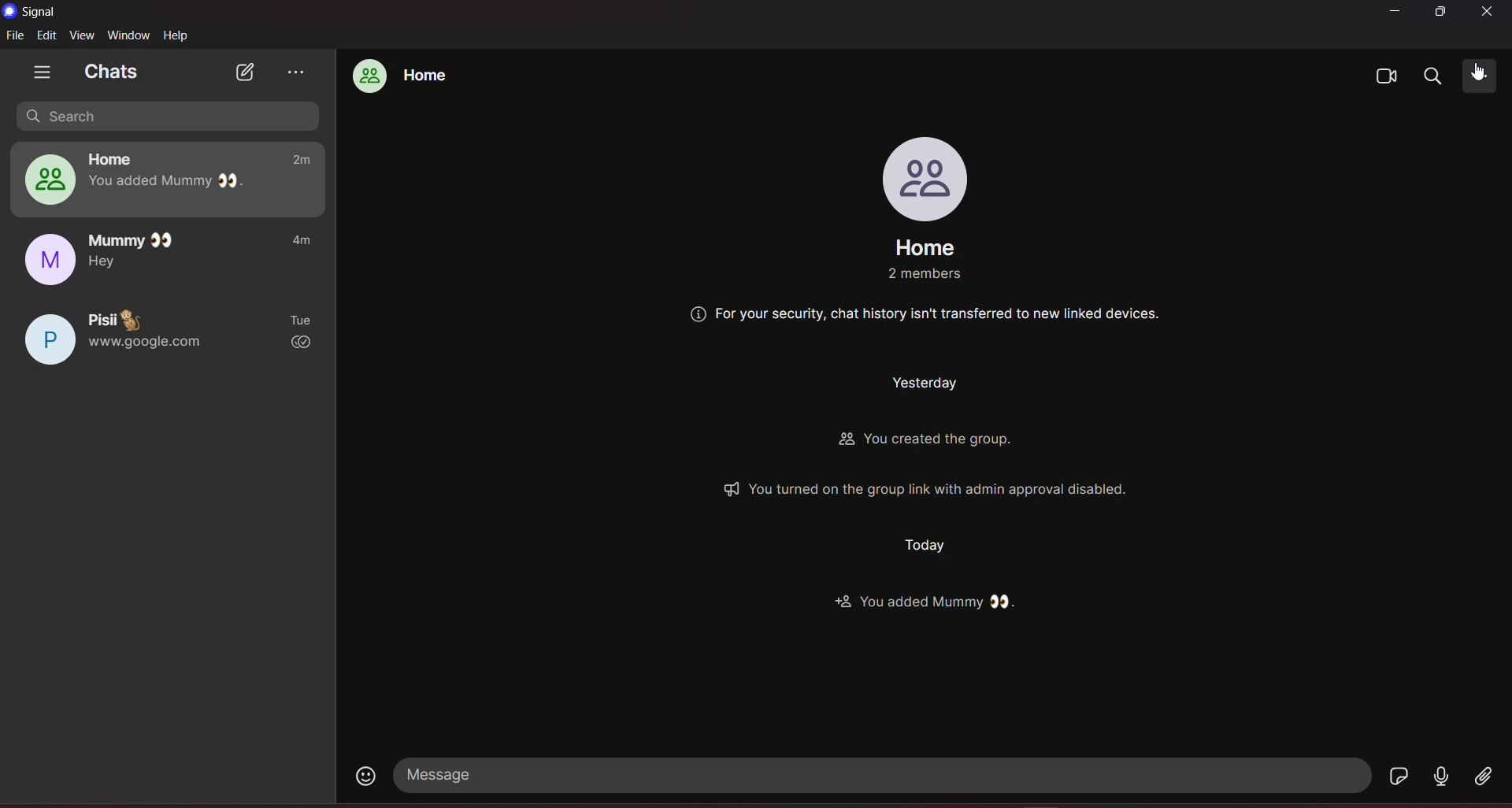 This screenshot has height=808, width=1512. Describe the element at coordinates (173, 178) in the screenshot. I see `home group chat` at that location.